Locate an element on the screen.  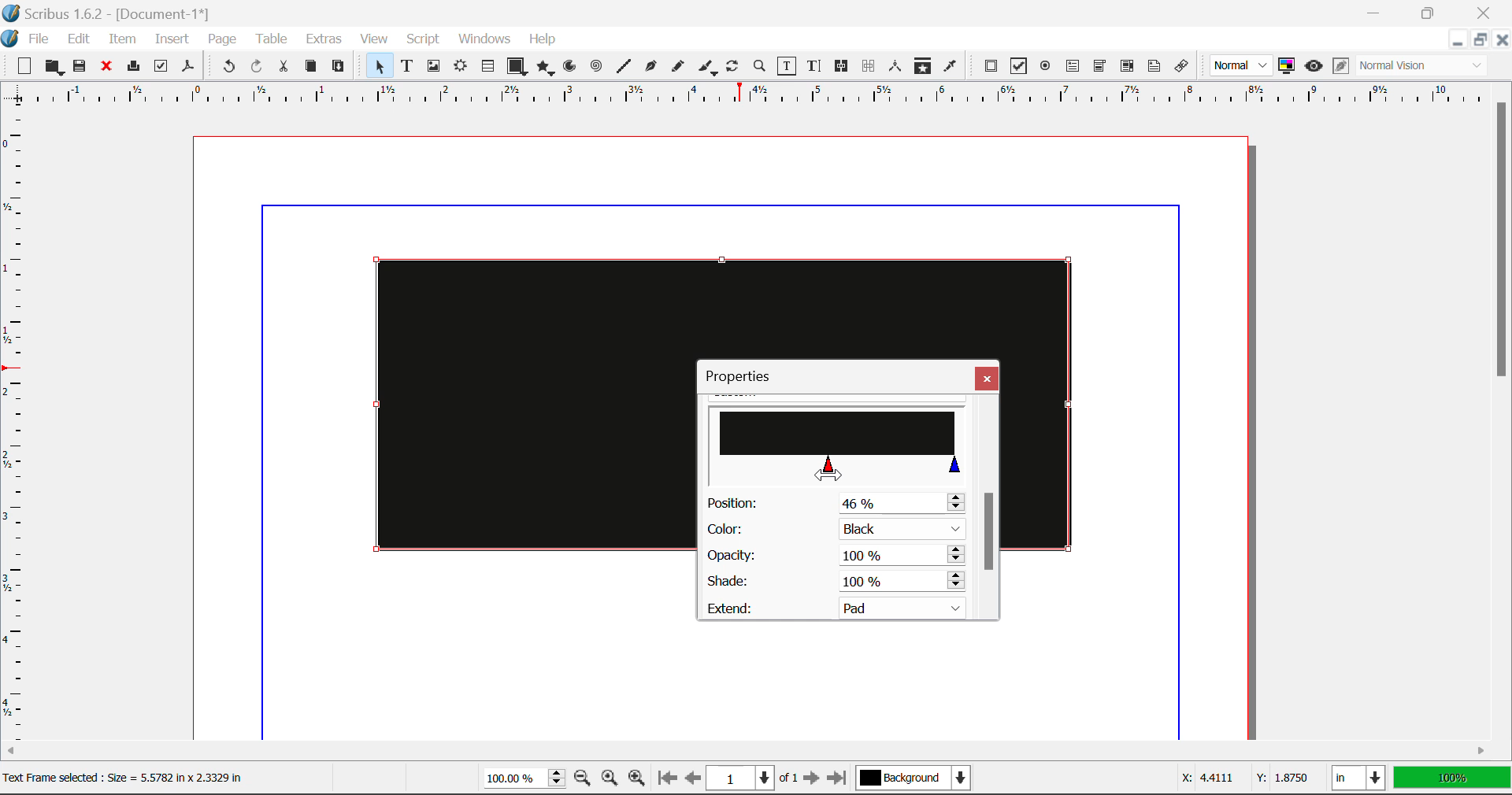
Line is located at coordinates (624, 67).